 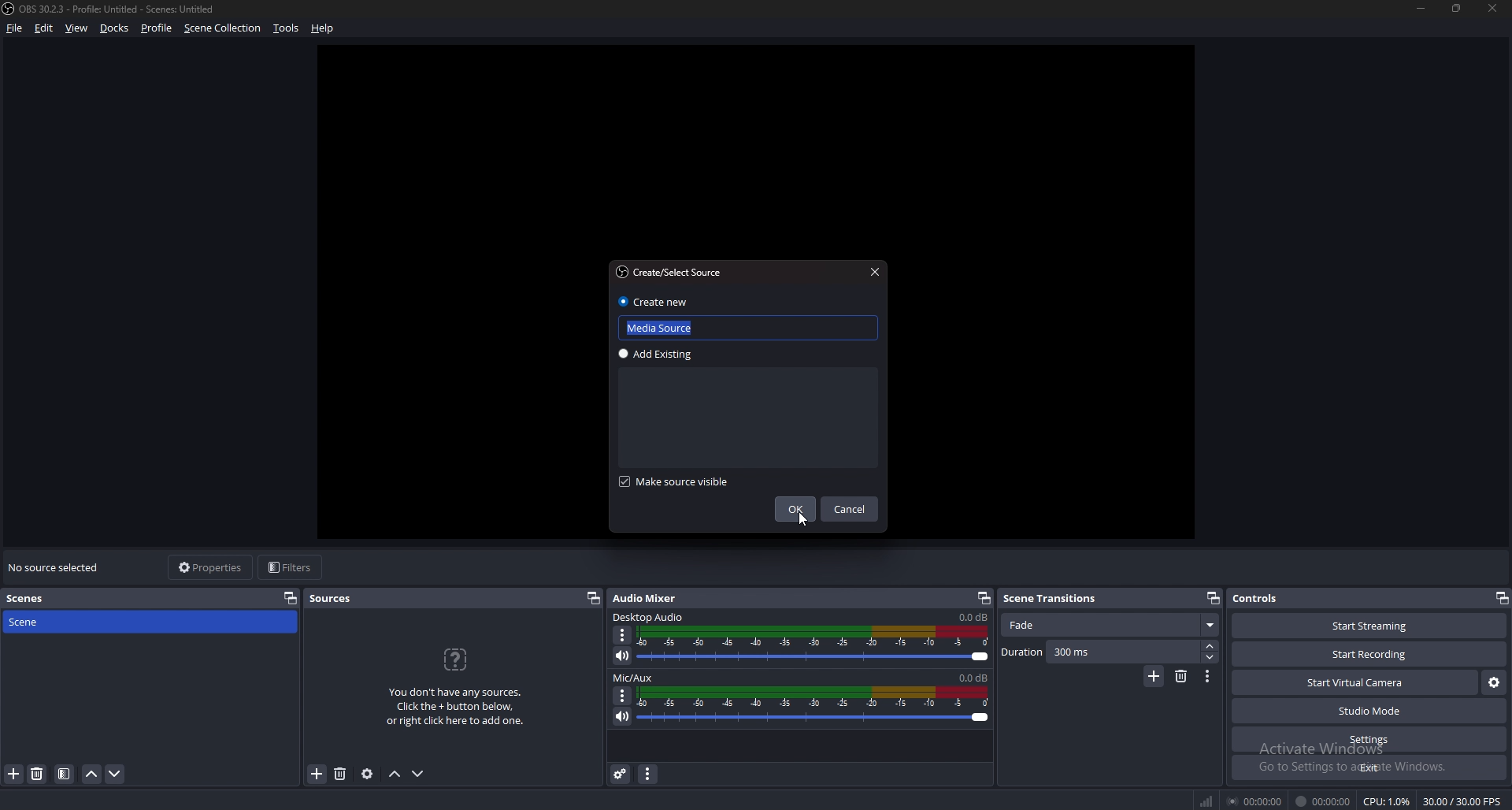 I want to click on Virtual camera settings, so click(x=1494, y=683).